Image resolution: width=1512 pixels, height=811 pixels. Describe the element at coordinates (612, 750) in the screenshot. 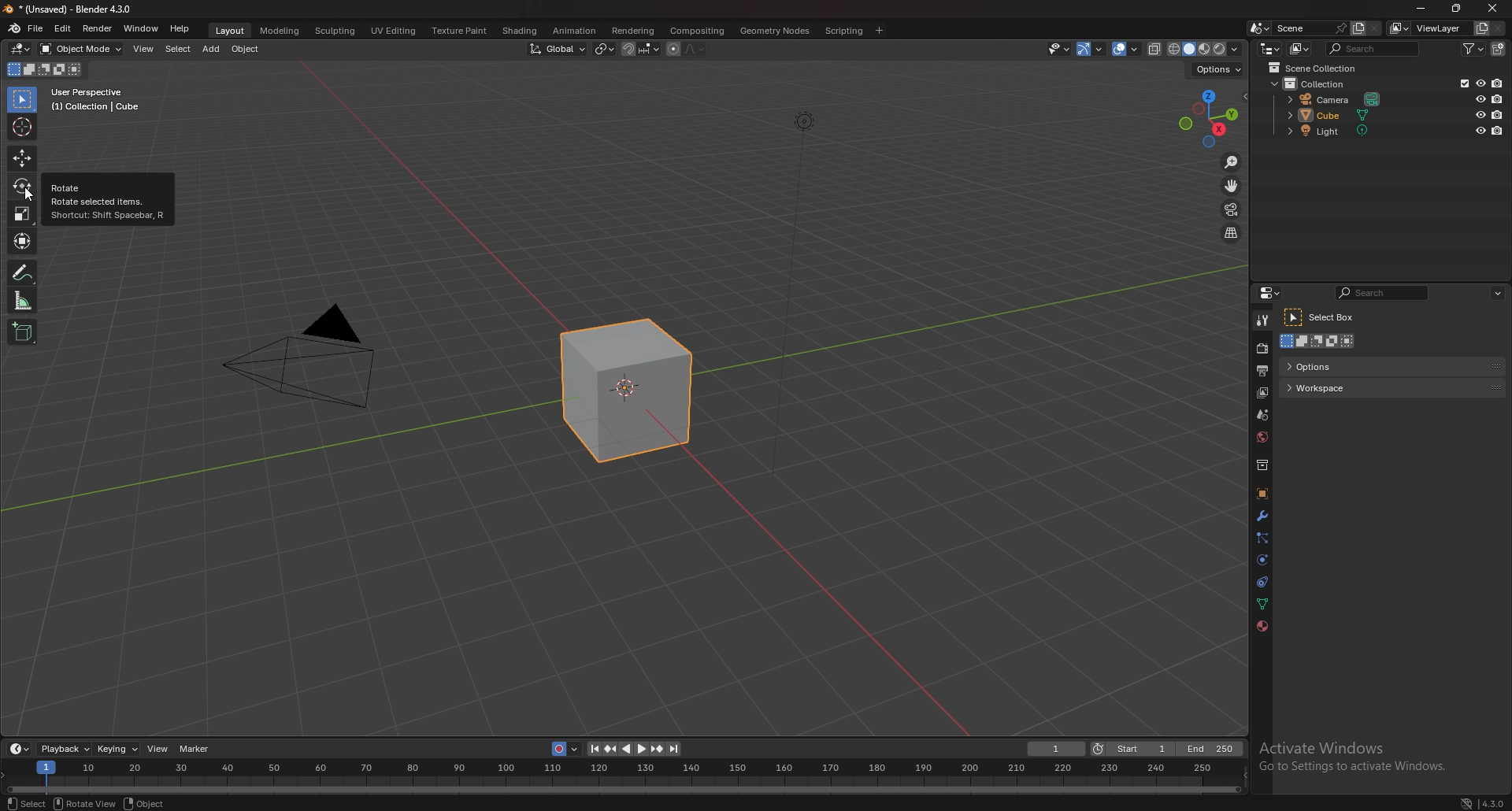

I see `jump to keyframe` at that location.